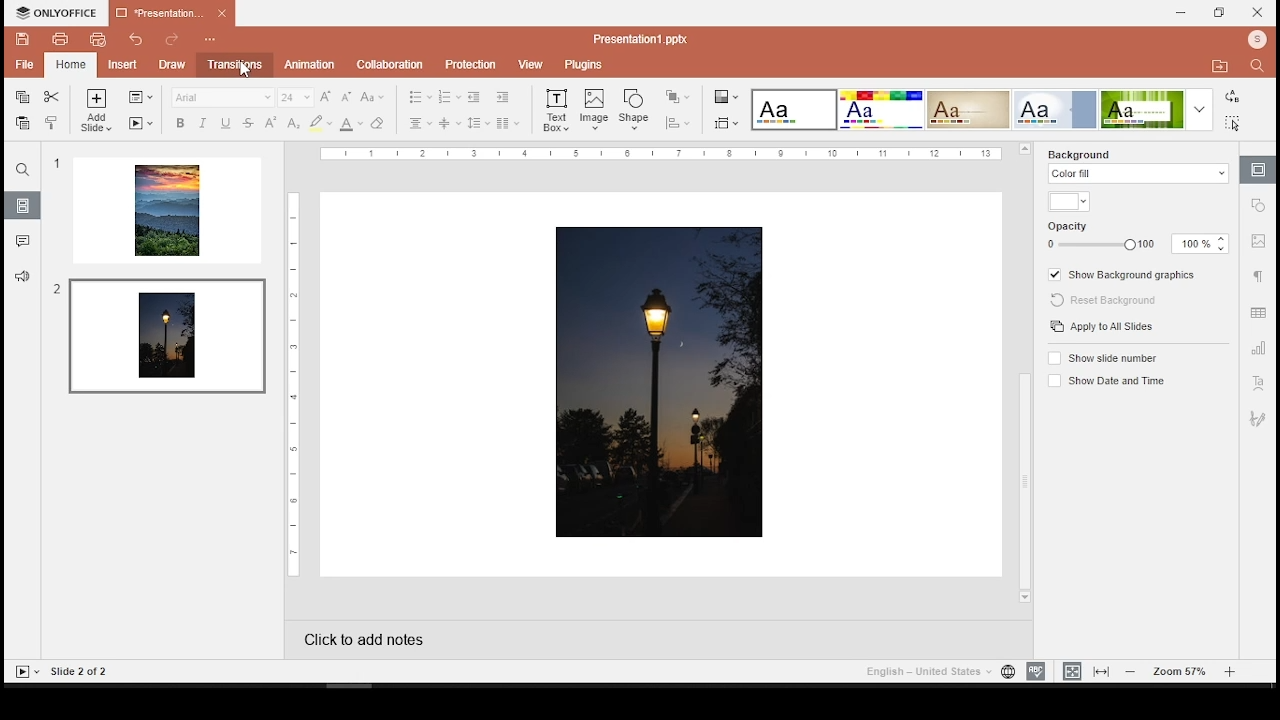  Describe the element at coordinates (582, 64) in the screenshot. I see `plugins` at that location.